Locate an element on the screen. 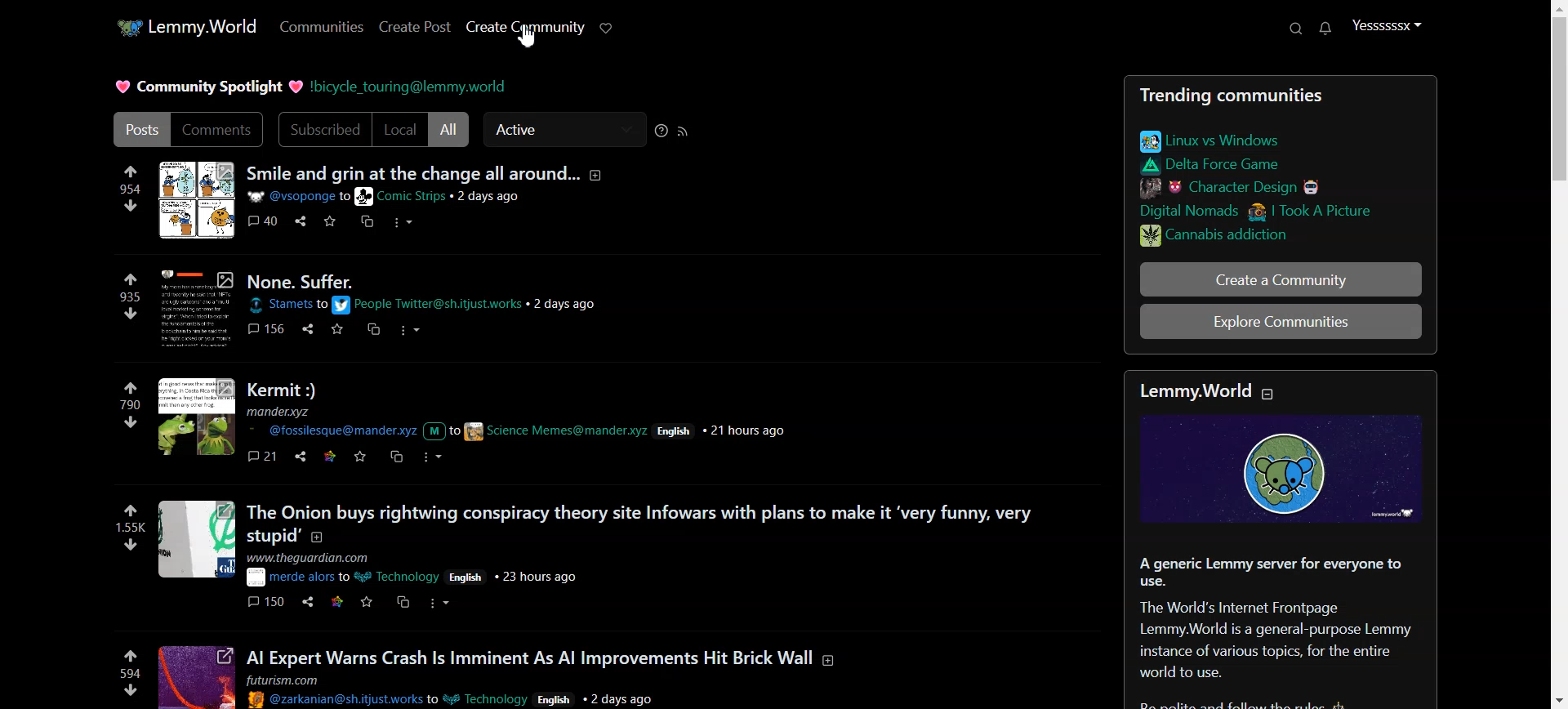 The height and width of the screenshot is (709, 1568). Comments is located at coordinates (218, 128).